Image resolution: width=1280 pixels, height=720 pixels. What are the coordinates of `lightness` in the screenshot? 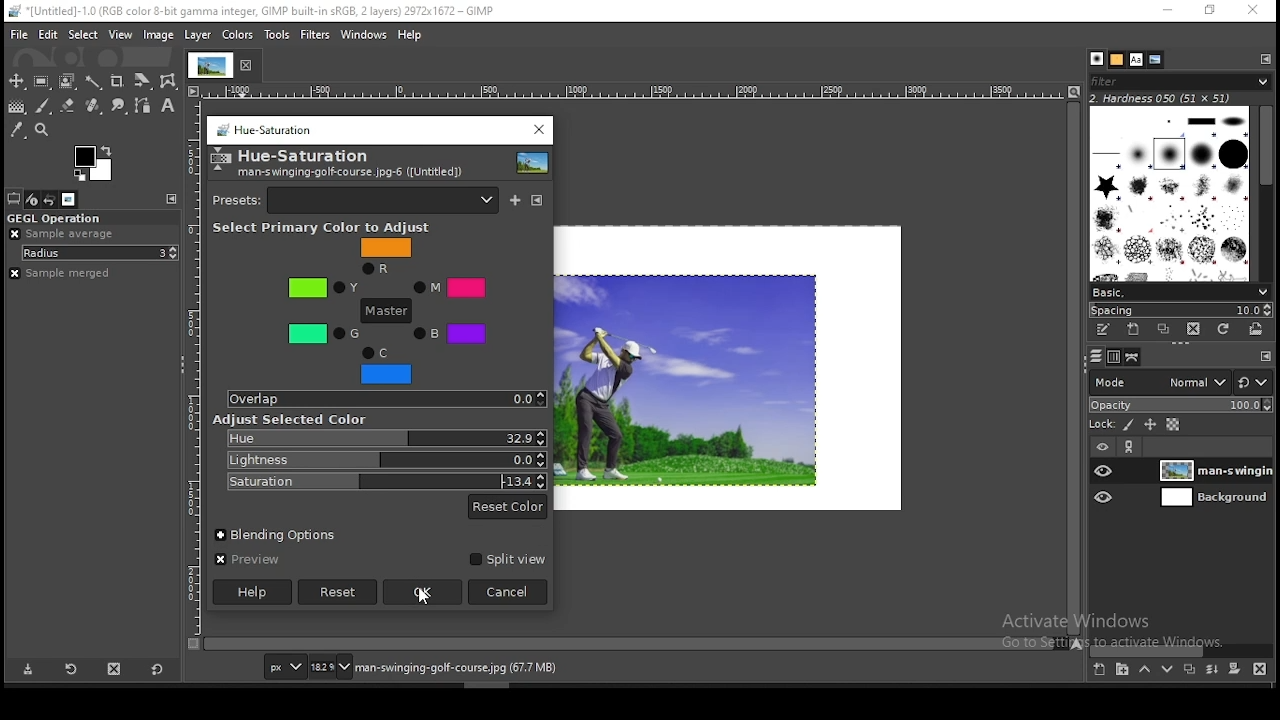 It's located at (385, 459).